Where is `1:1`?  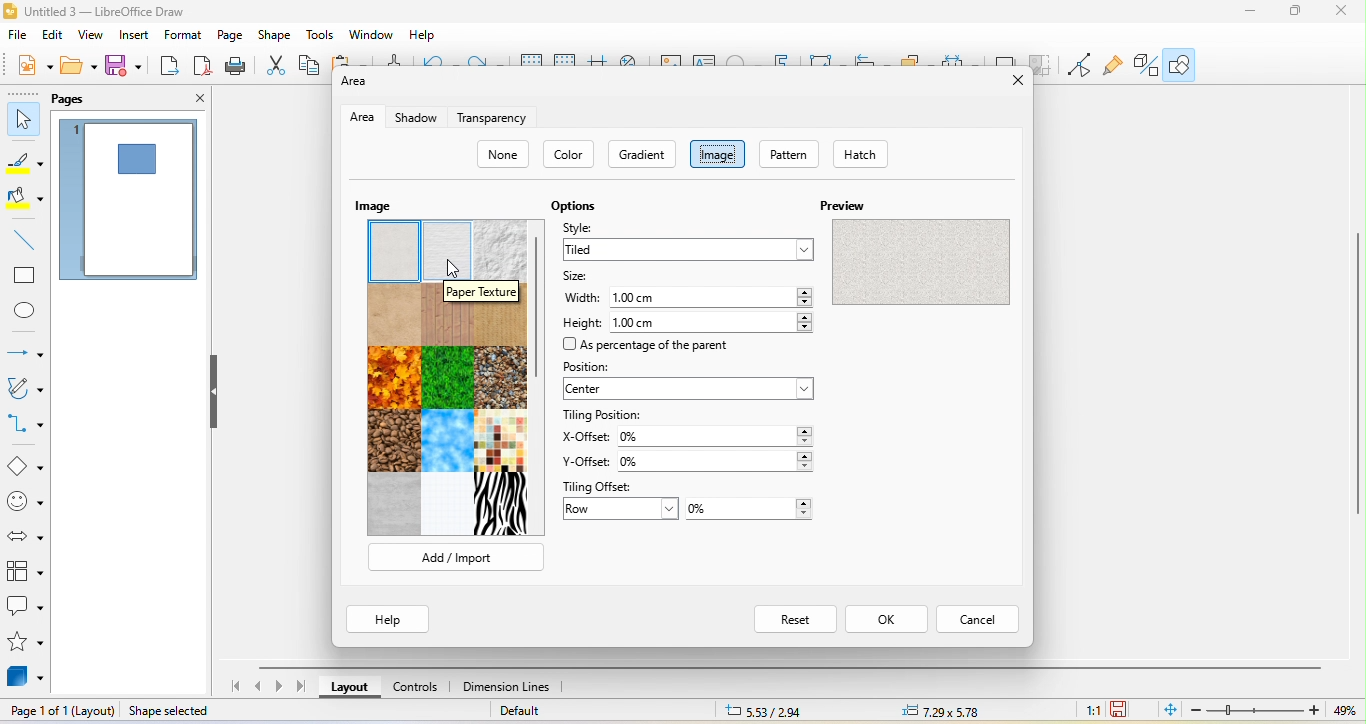 1:1 is located at coordinates (1085, 709).